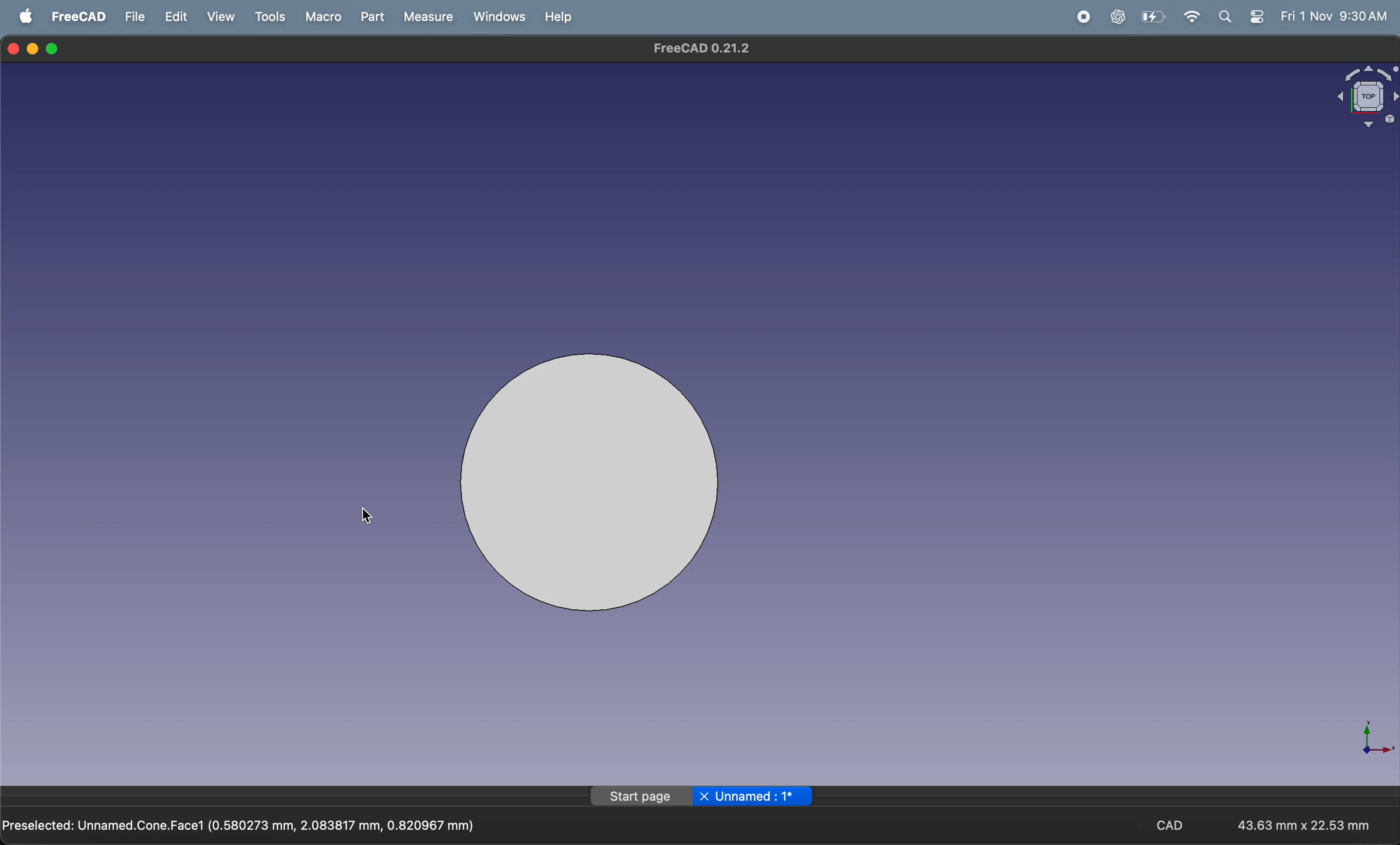 The width and height of the screenshot is (1400, 845). I want to click on tools, so click(270, 16).